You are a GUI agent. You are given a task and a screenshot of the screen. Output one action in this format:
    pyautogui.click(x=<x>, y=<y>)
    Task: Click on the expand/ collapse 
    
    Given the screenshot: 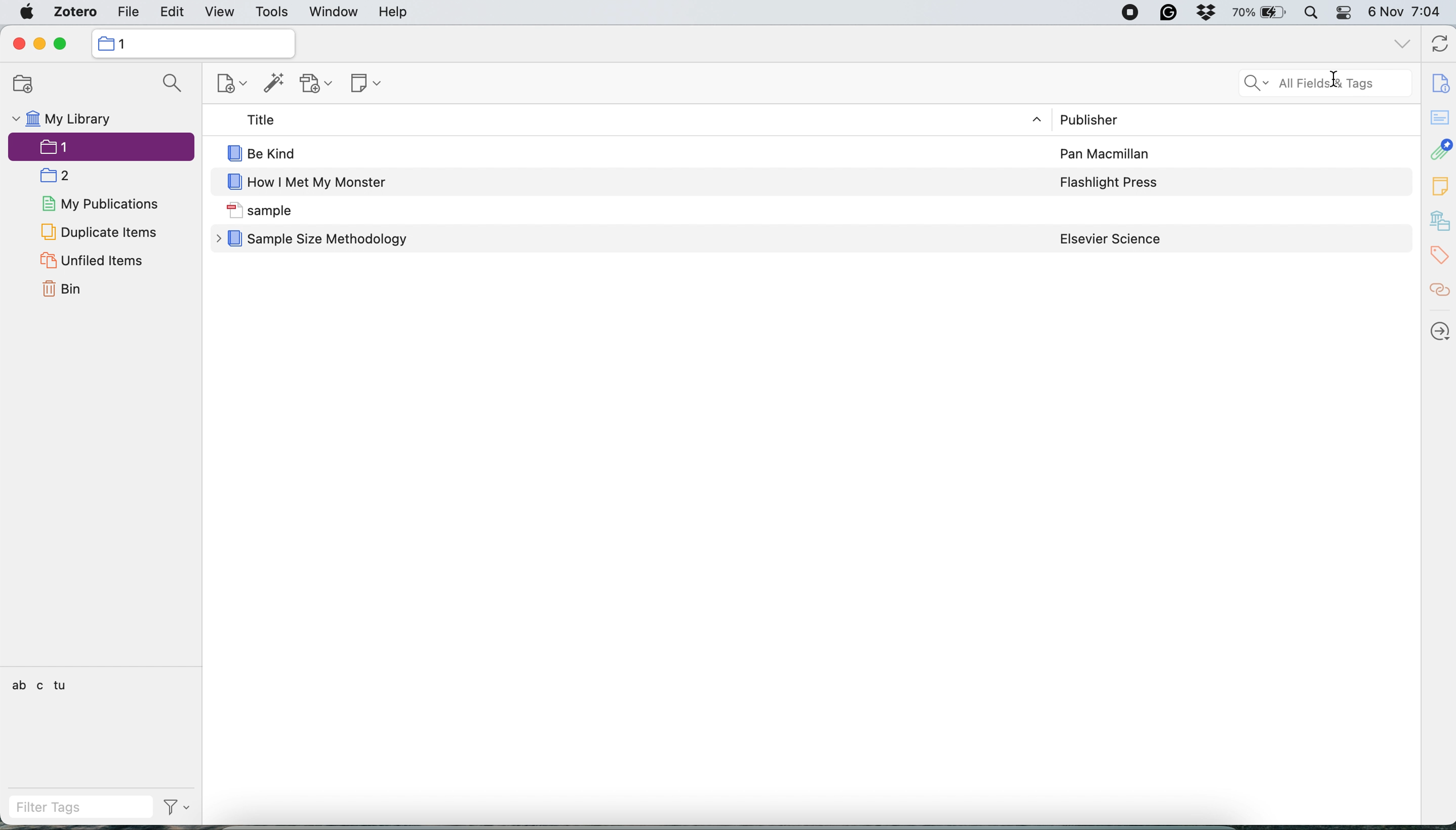 What is the action you would take?
    pyautogui.click(x=1039, y=120)
    